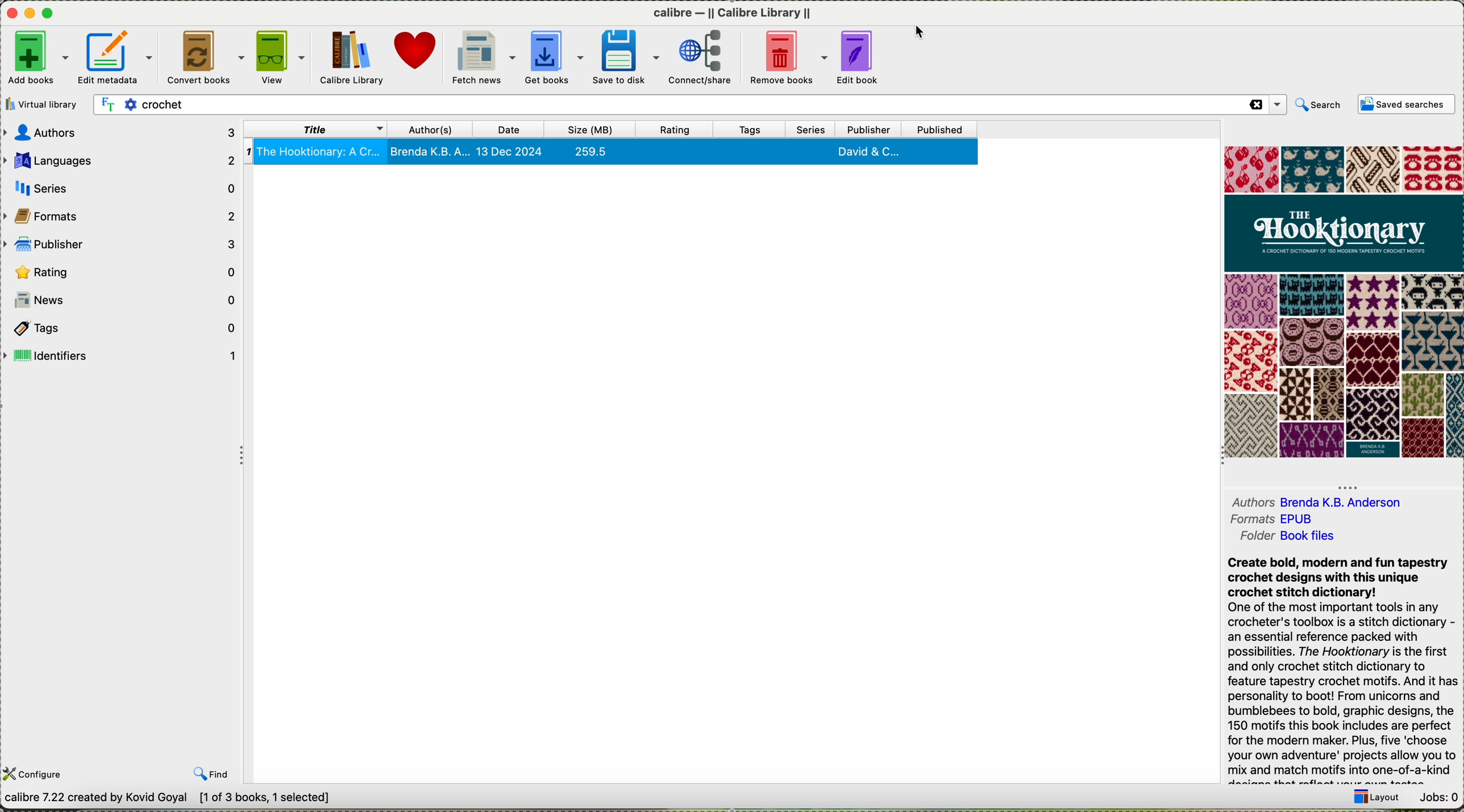  I want to click on edit metadata, so click(117, 57).